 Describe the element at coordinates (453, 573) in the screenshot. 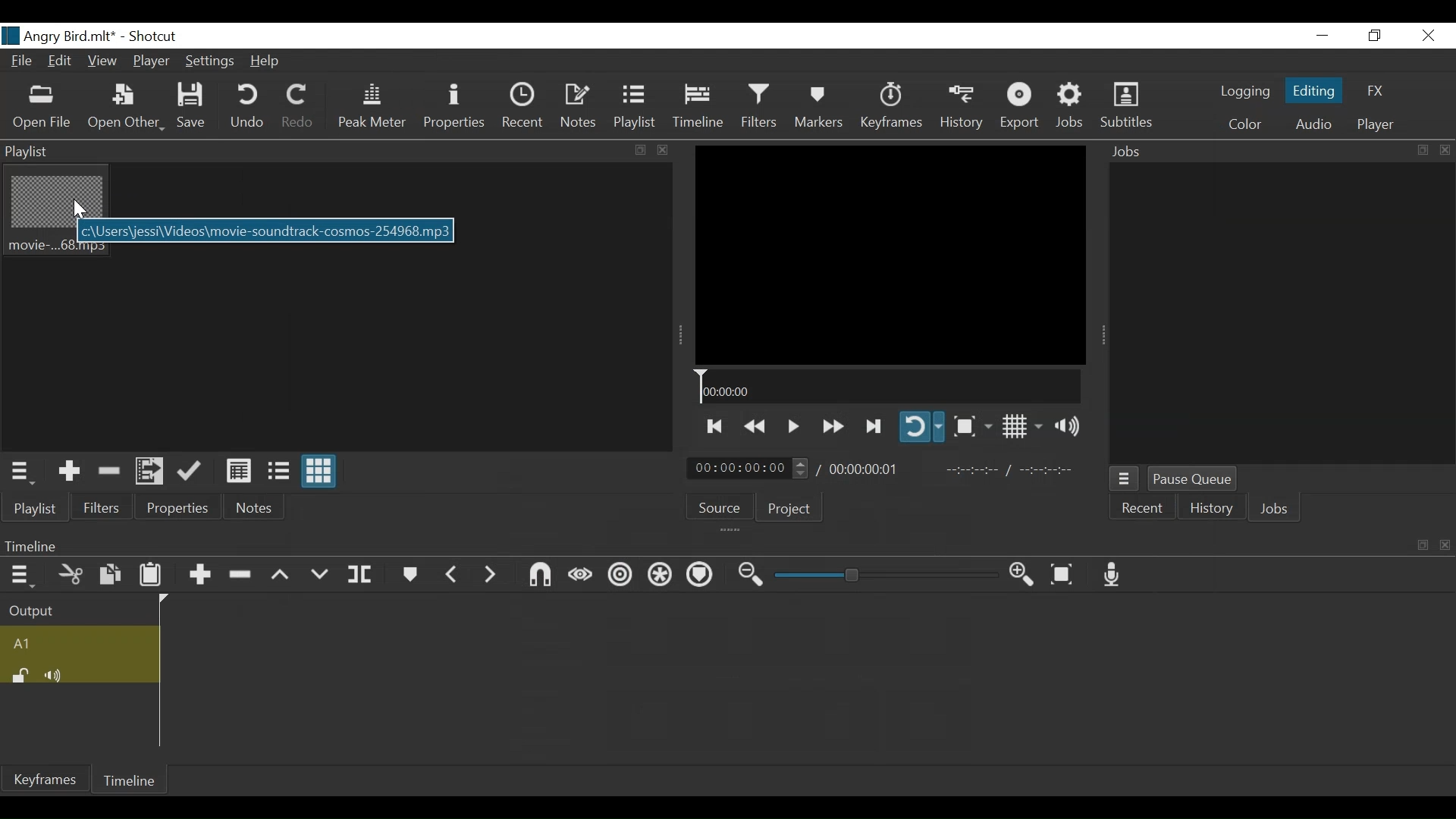

I see `Previous marker` at that location.